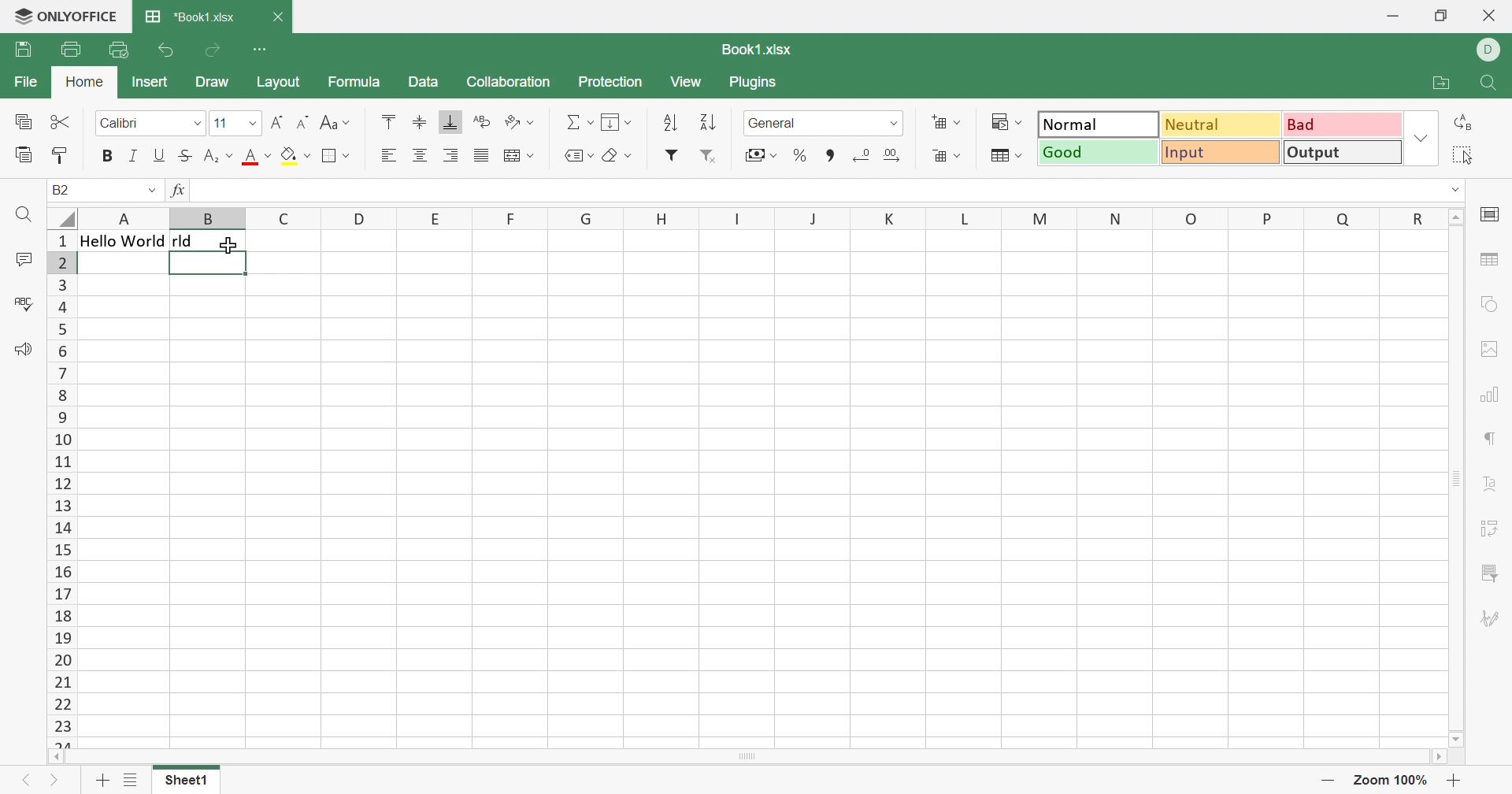  Describe the element at coordinates (1455, 783) in the screenshot. I see `Zoom in` at that location.